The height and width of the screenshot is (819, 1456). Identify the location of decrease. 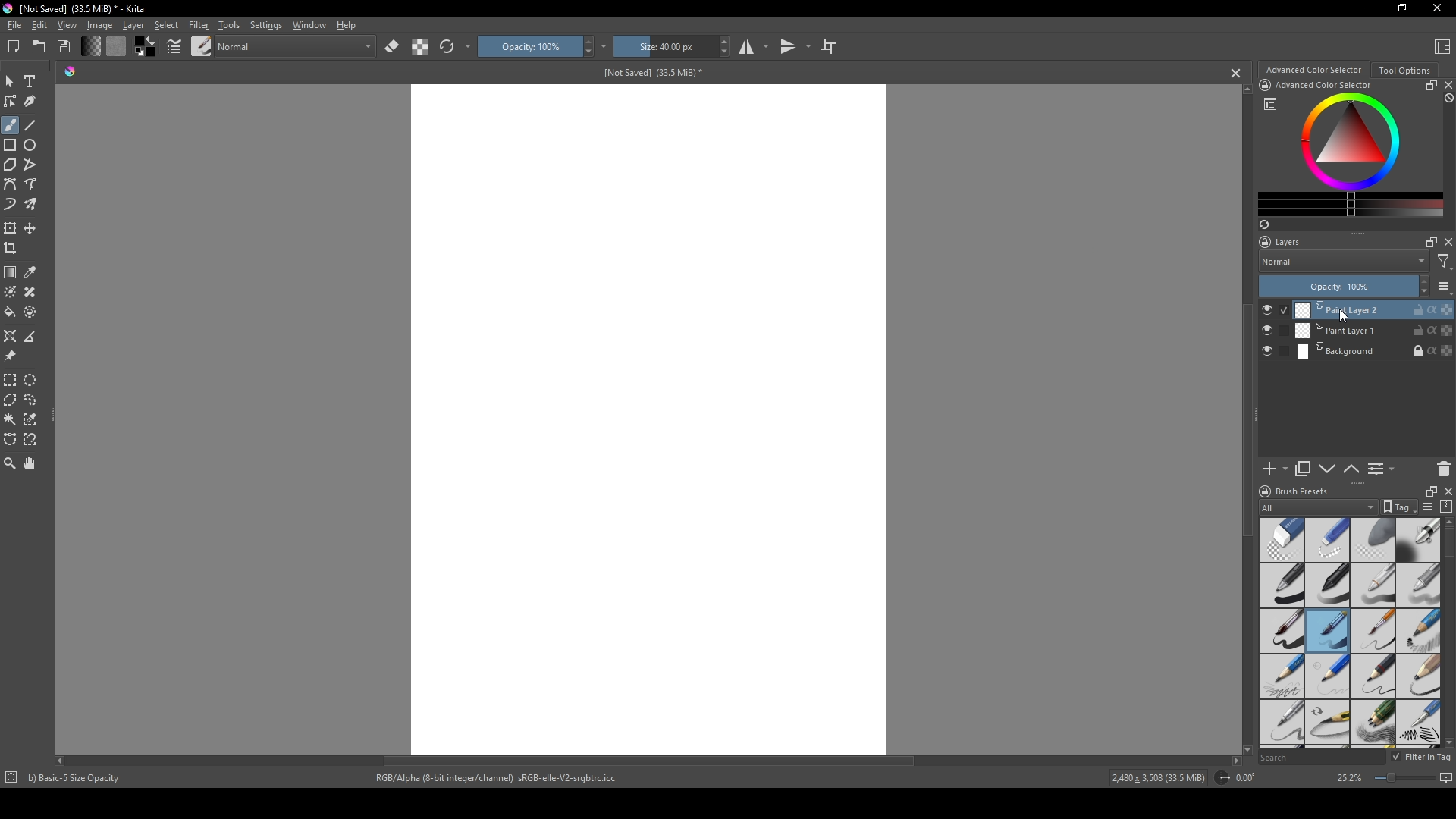
(1423, 293).